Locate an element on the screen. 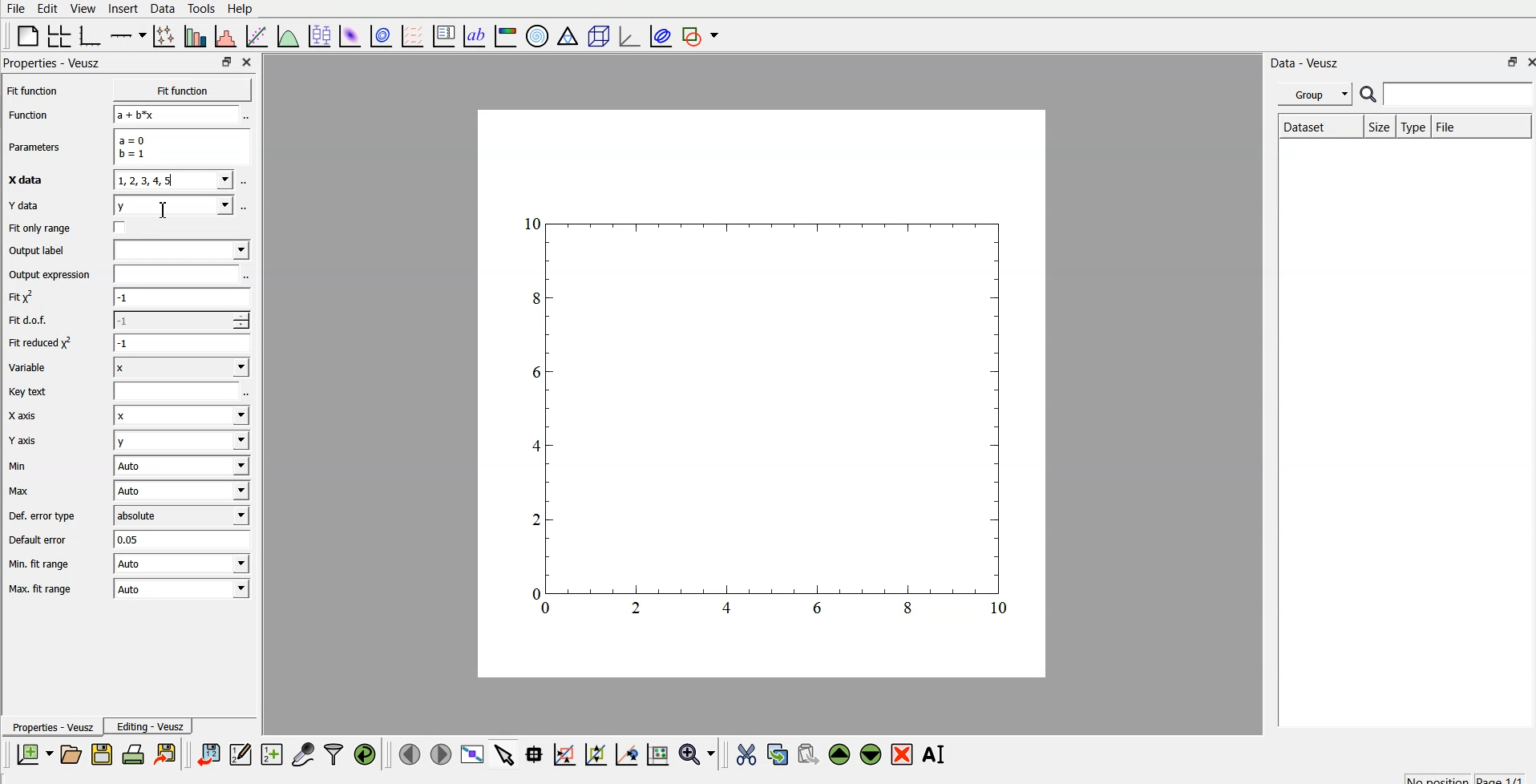 The image size is (1536, 784). read data points on the graph is located at coordinates (536, 755).